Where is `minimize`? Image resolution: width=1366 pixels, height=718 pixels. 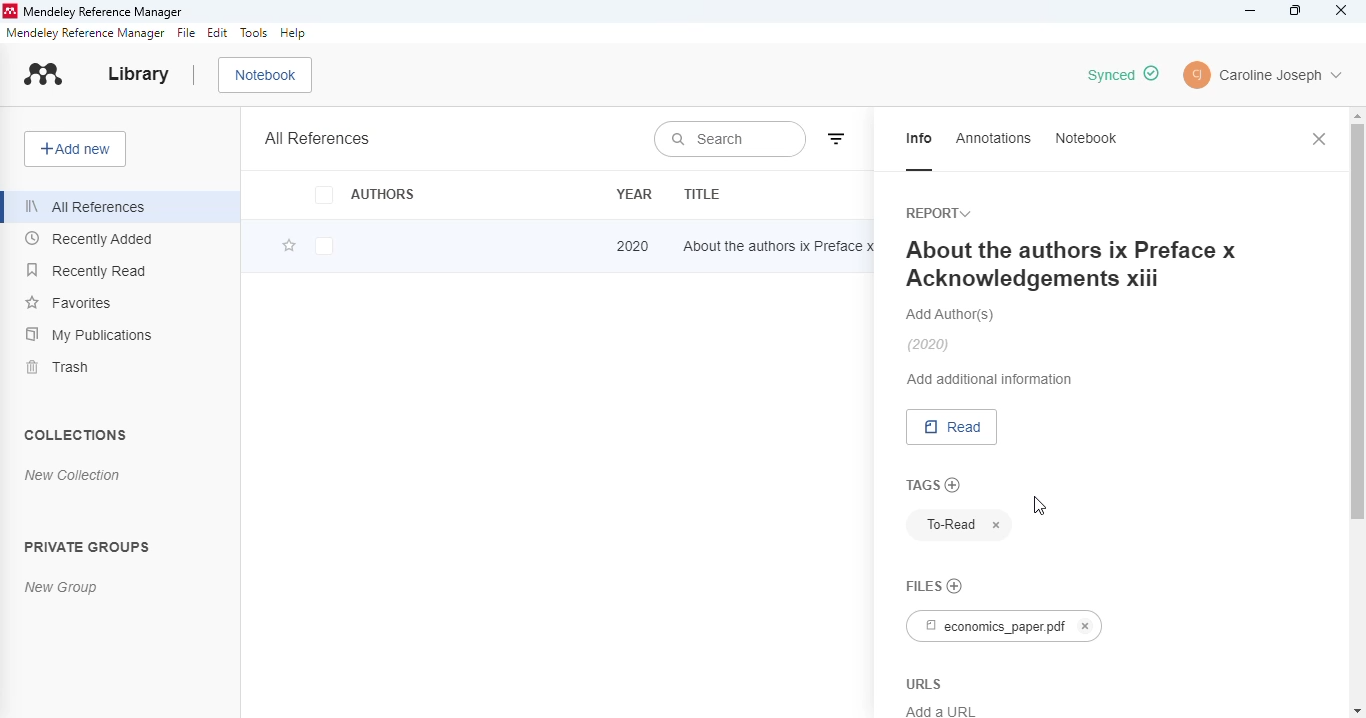
minimize is located at coordinates (1252, 11).